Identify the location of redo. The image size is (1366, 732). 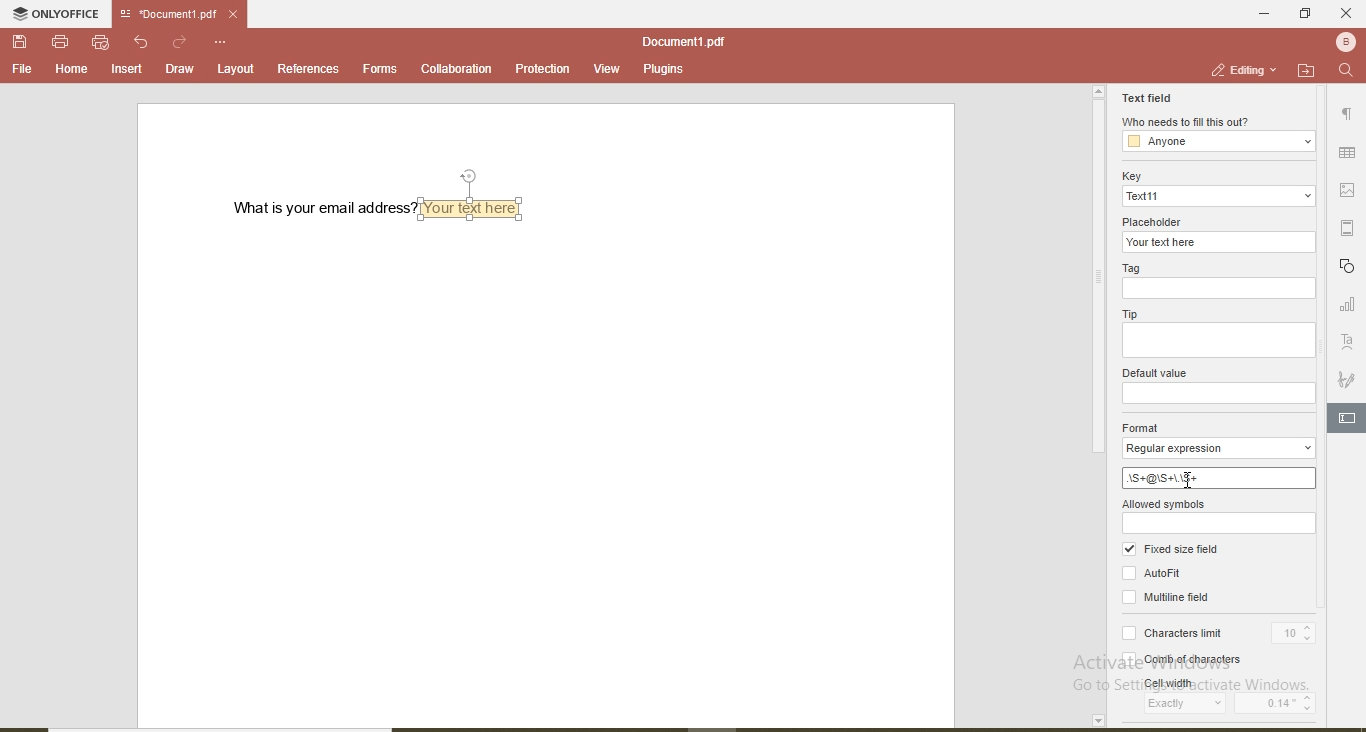
(181, 41).